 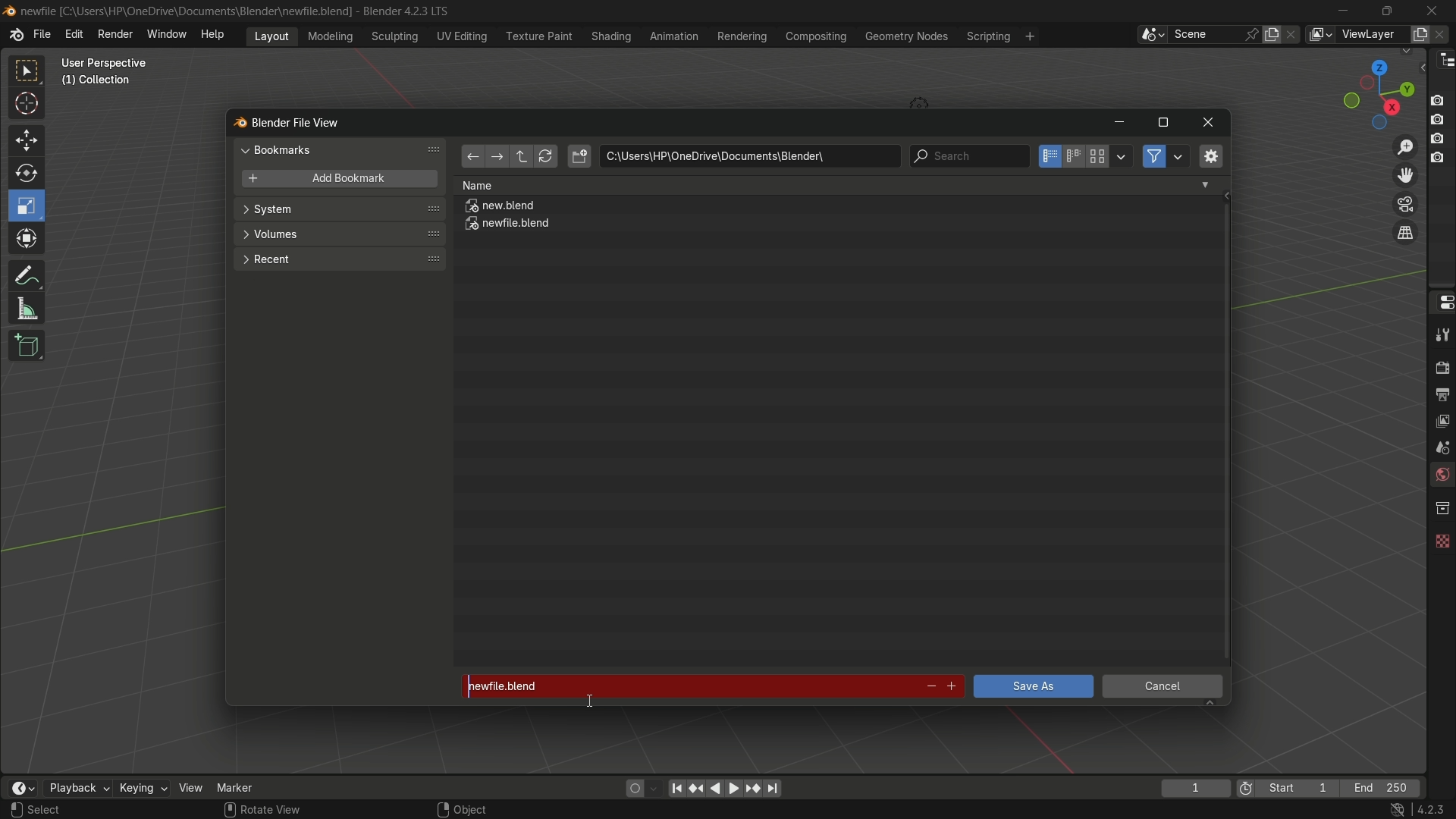 What do you see at coordinates (99, 83) in the screenshot?
I see `Collection` at bounding box center [99, 83].